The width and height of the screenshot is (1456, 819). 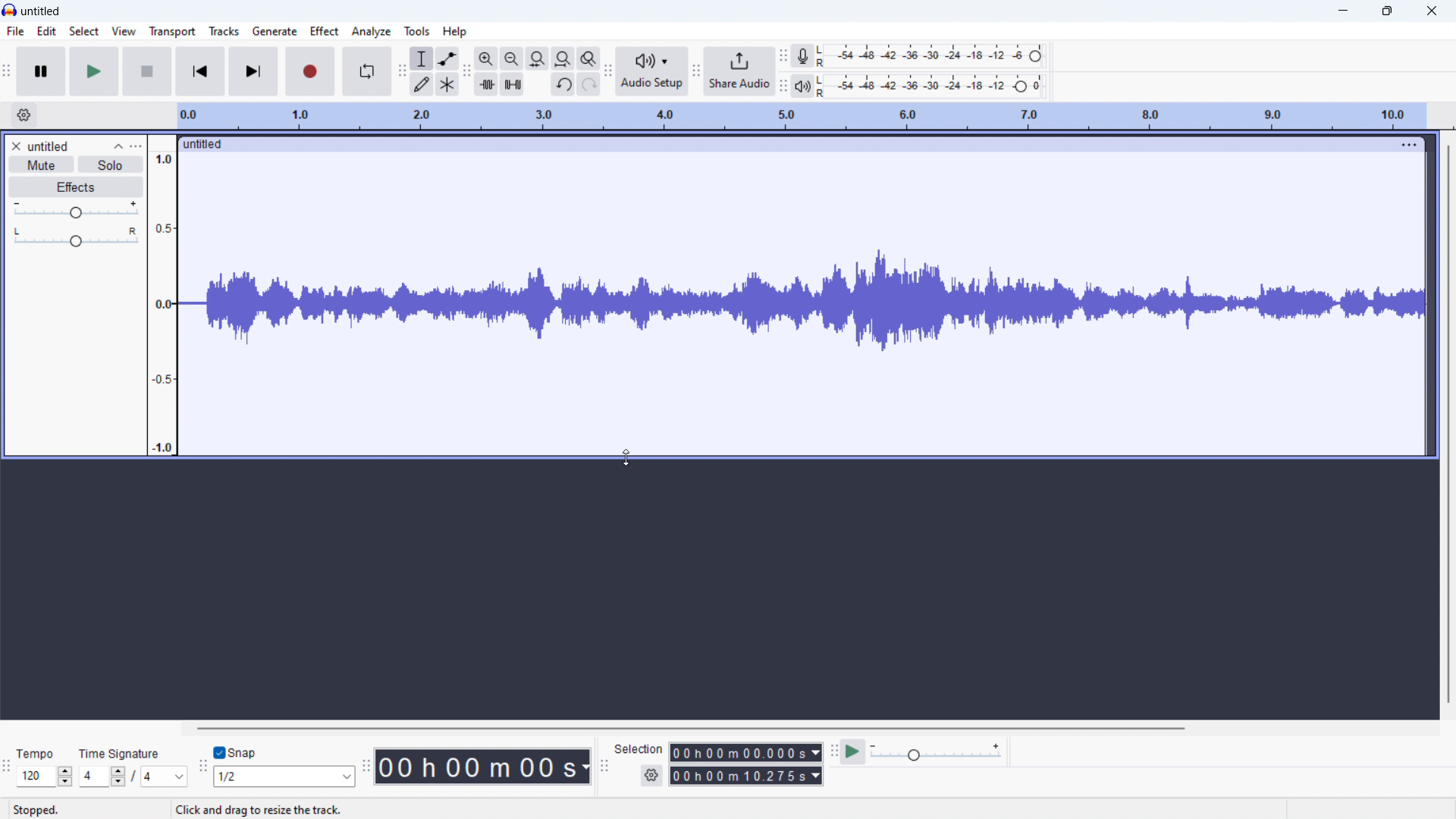 What do you see at coordinates (223, 31) in the screenshot?
I see `tracks` at bounding box center [223, 31].